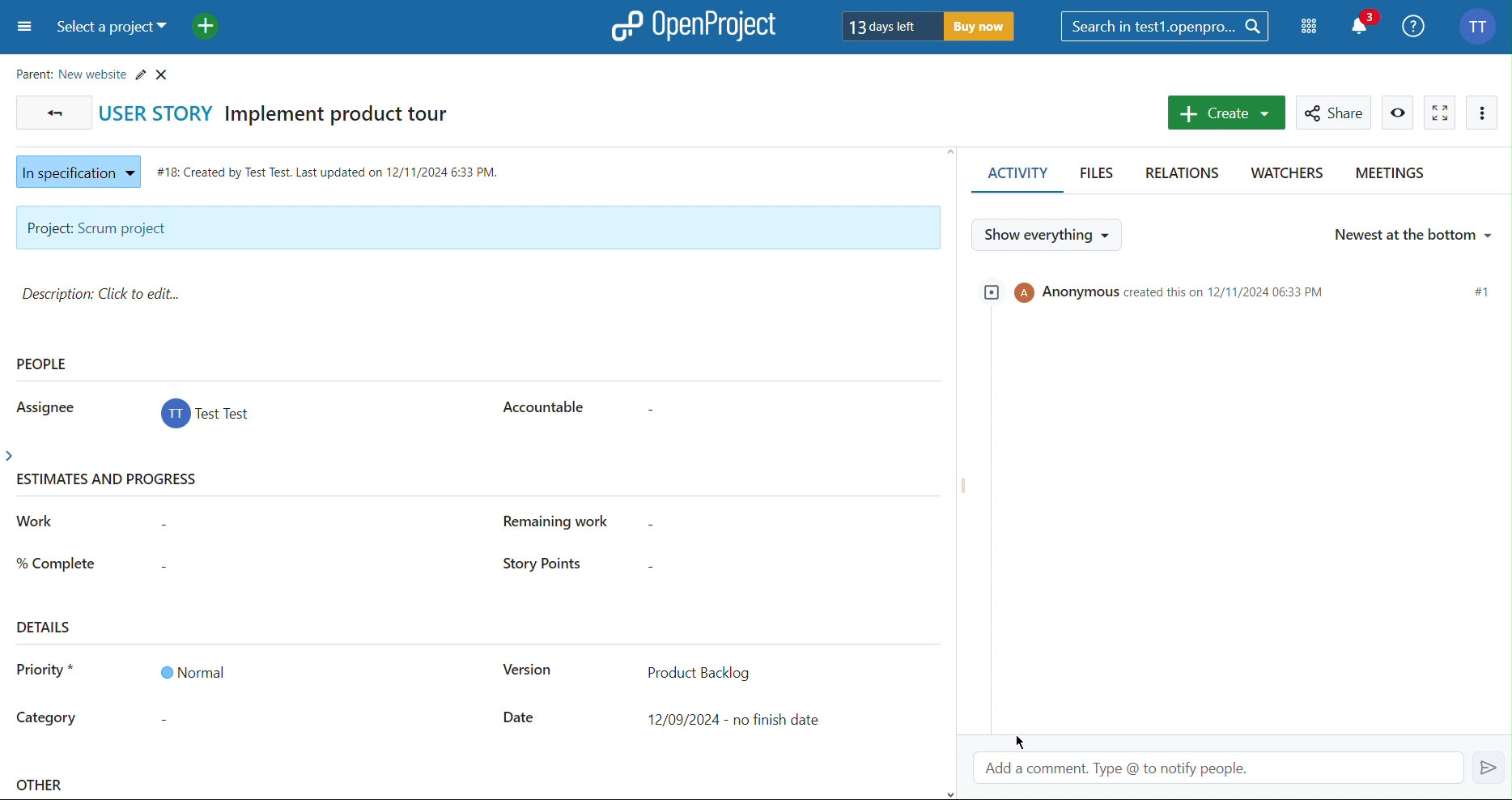  Describe the element at coordinates (520, 718) in the screenshot. I see `Date` at that location.